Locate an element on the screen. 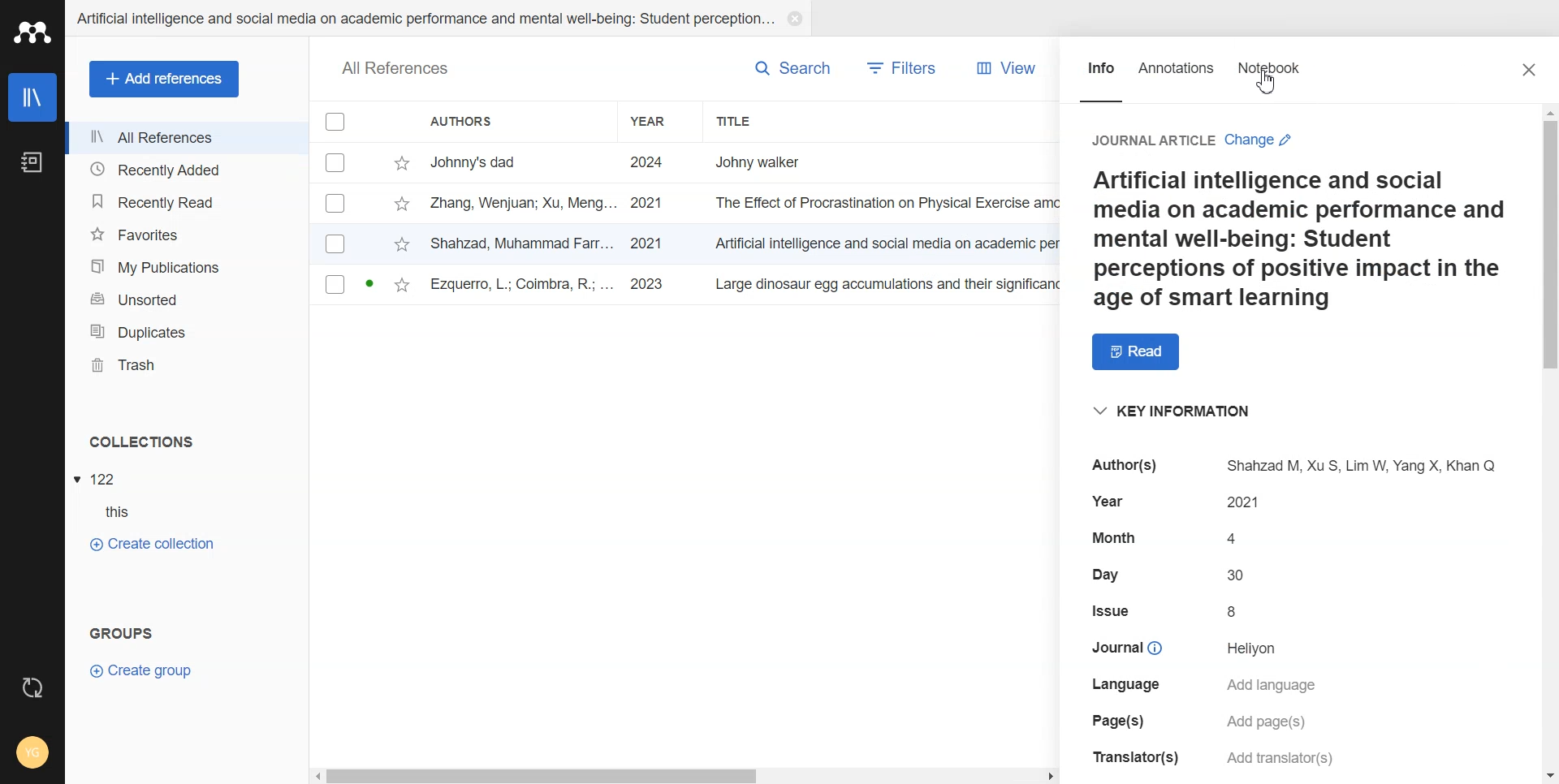  journal article is located at coordinates (1148, 140).